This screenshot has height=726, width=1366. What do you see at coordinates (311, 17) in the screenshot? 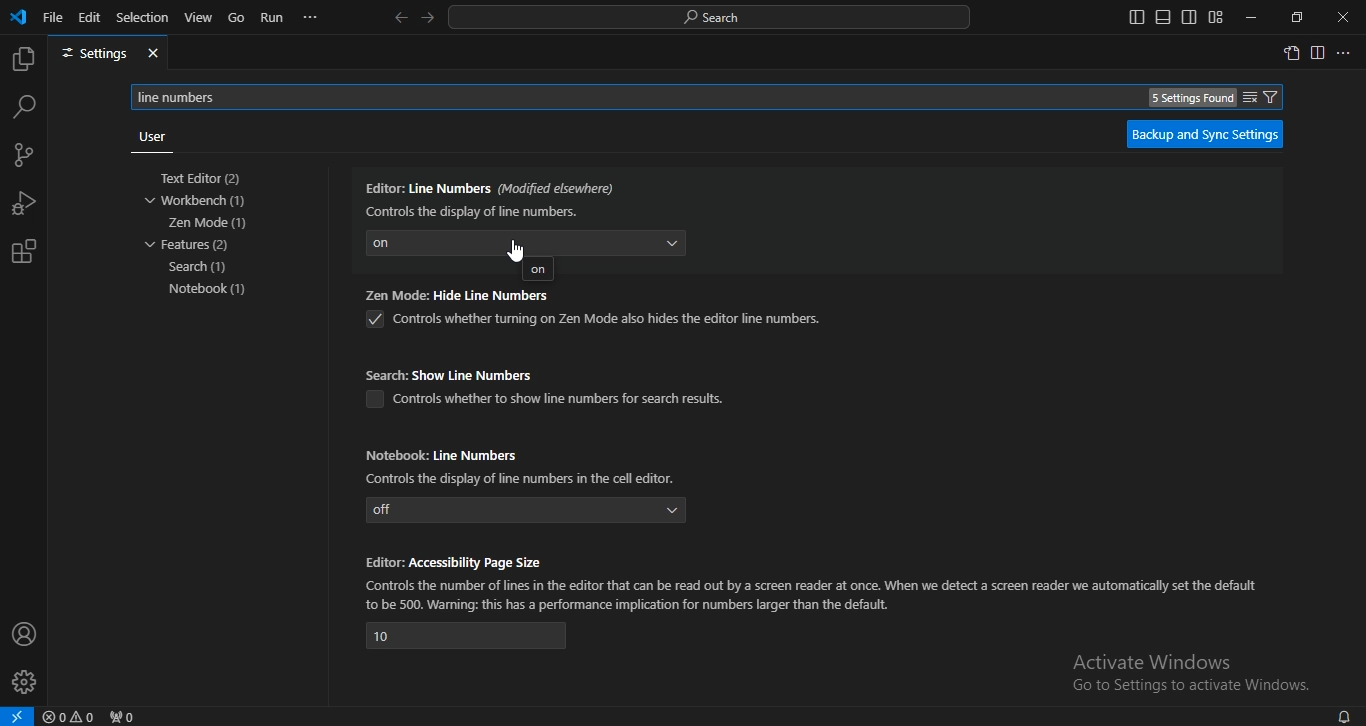
I see `...` at bounding box center [311, 17].